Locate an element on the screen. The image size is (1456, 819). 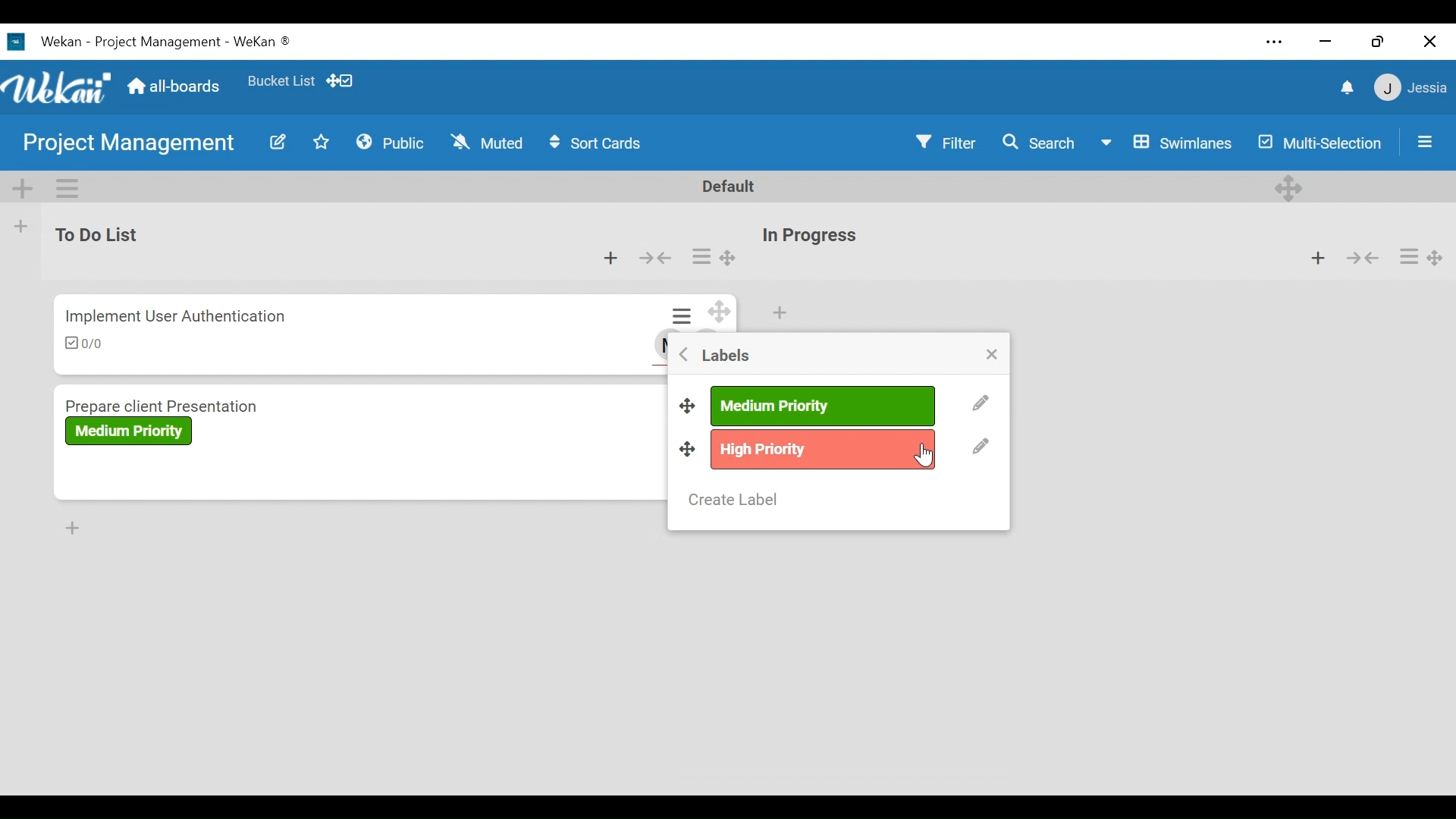
Sort Cards is located at coordinates (601, 143).